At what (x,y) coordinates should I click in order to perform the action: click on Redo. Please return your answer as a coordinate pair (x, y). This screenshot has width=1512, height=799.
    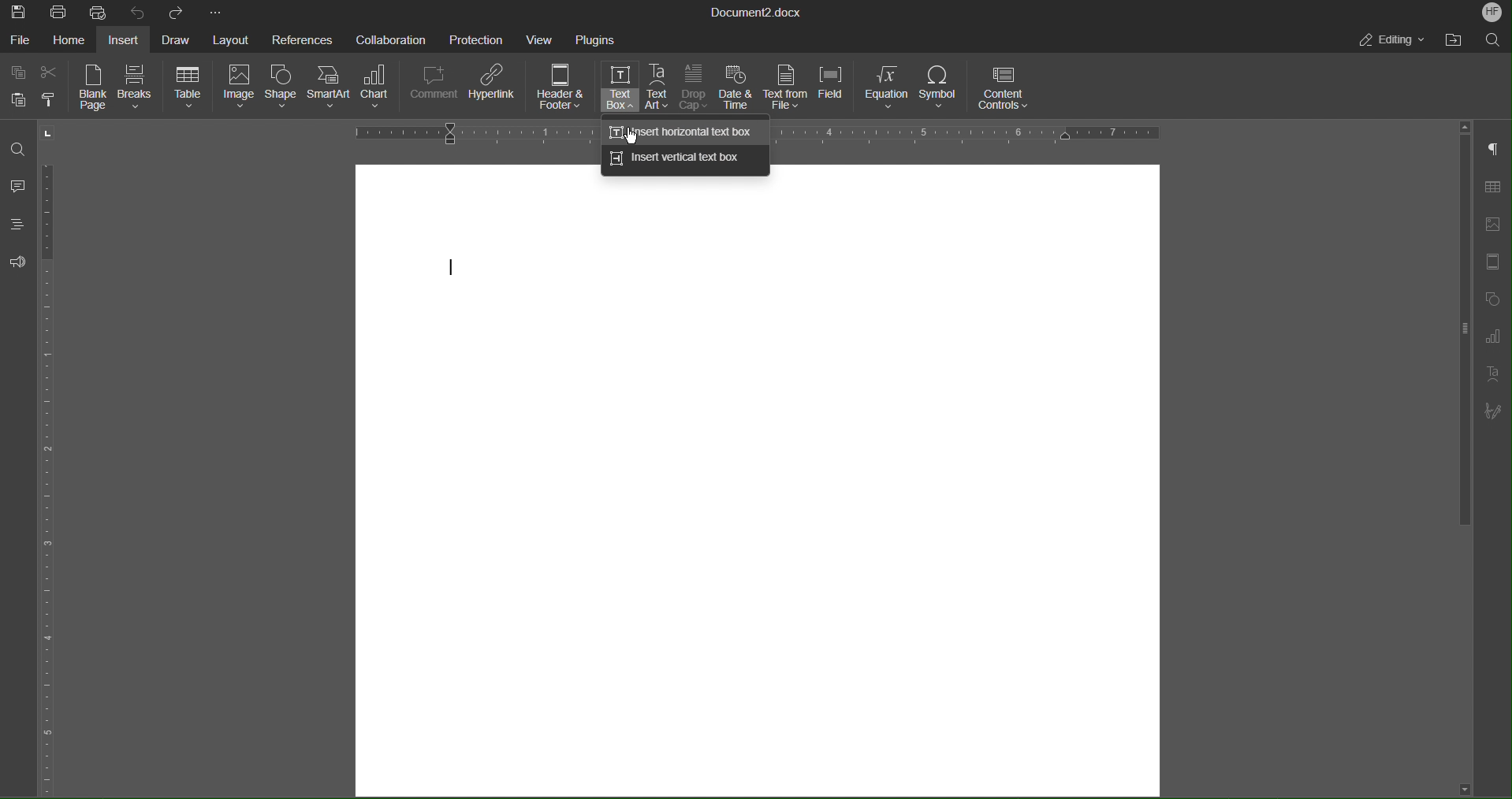
    Looking at the image, I should click on (172, 12).